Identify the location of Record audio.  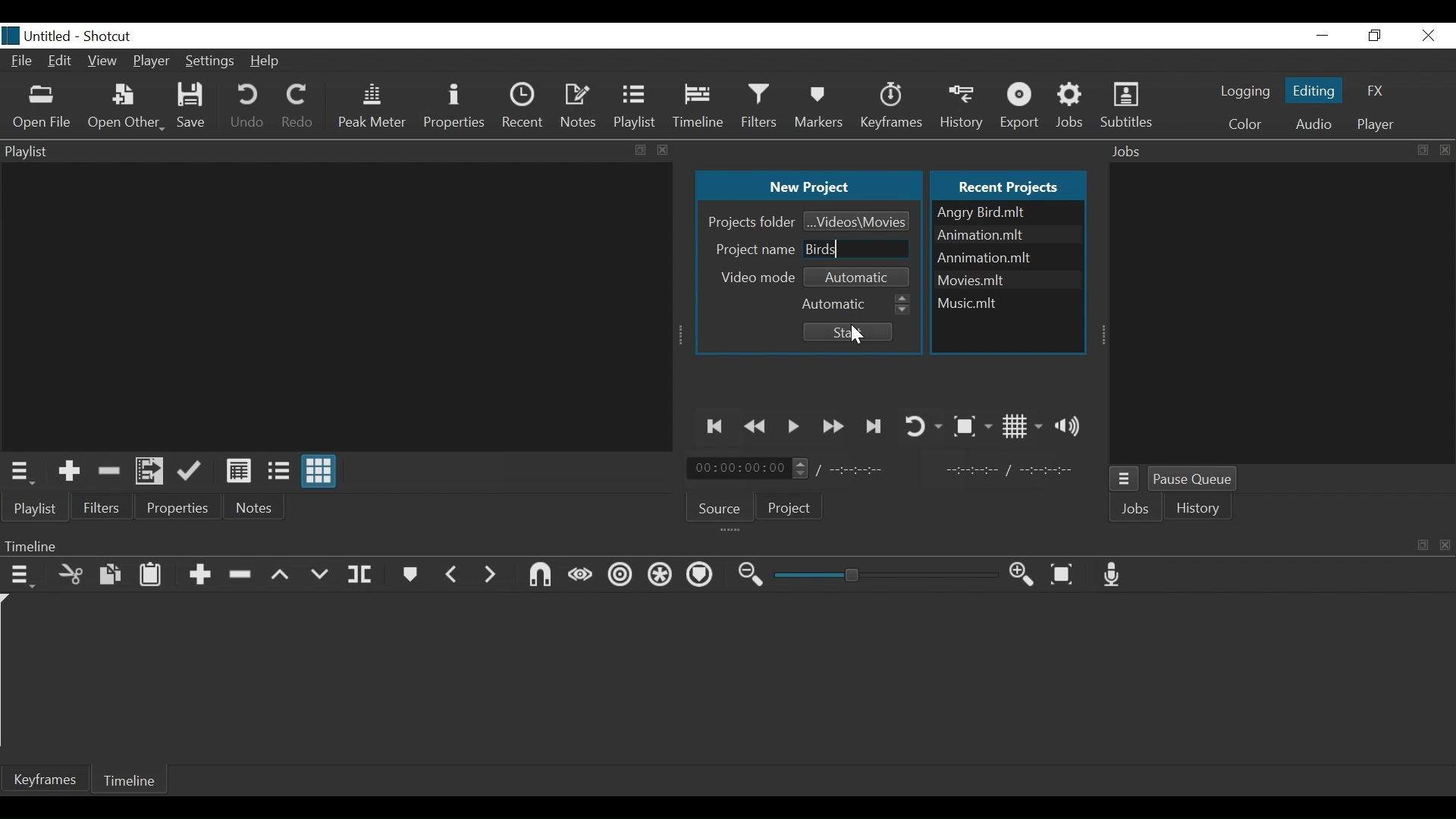
(1116, 575).